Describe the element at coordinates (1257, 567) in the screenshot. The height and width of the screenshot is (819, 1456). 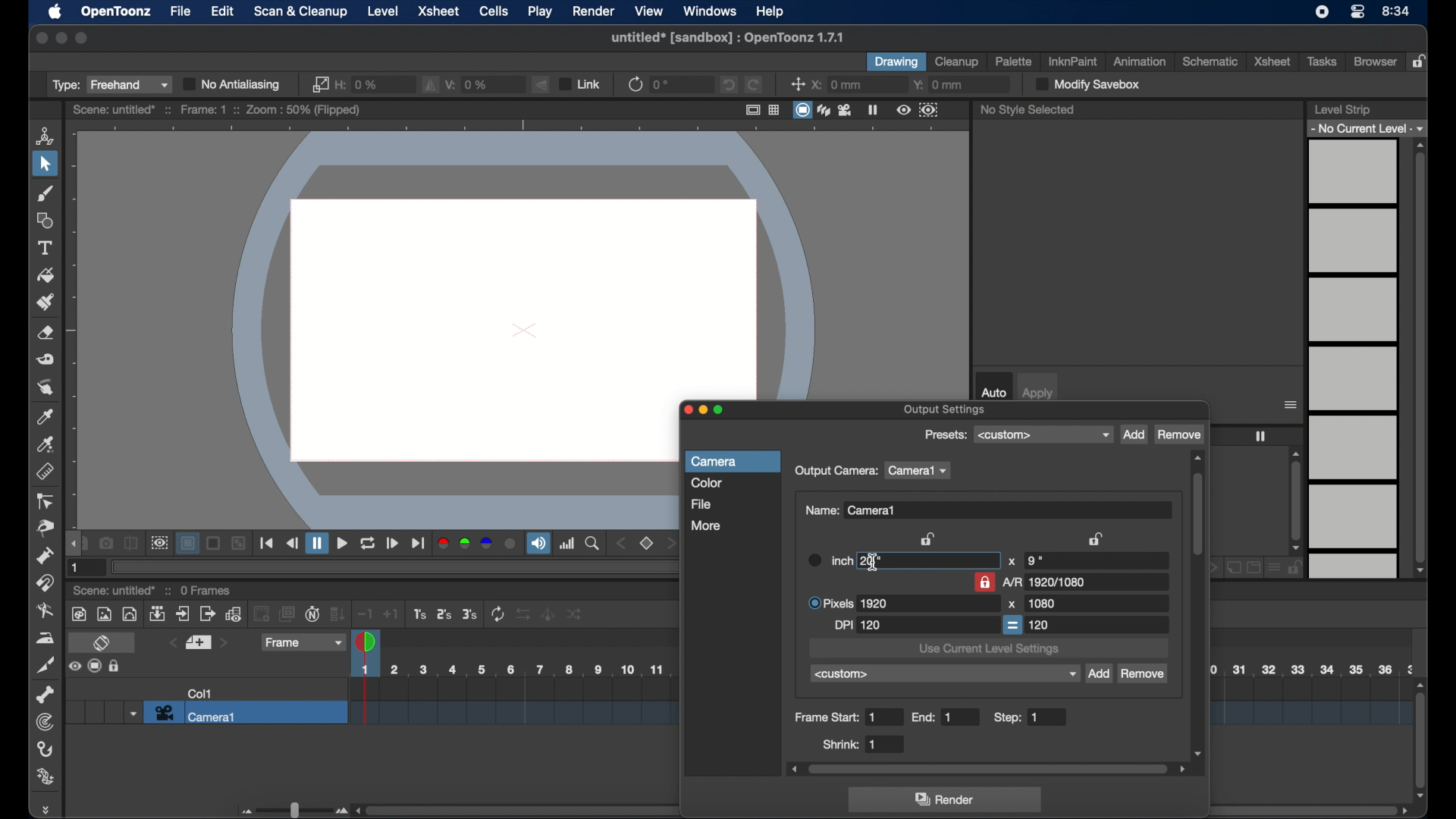
I see `` at that location.